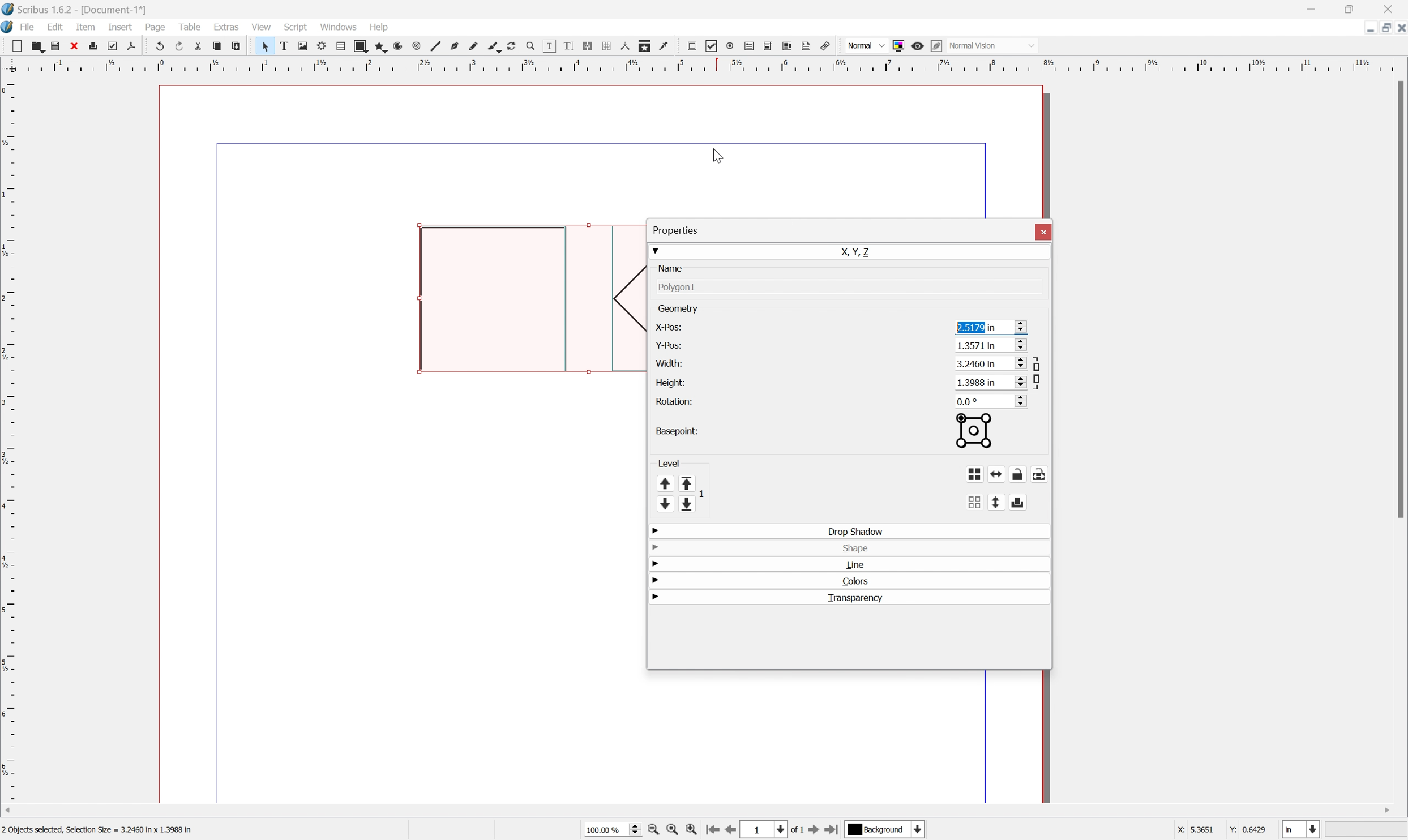 The width and height of the screenshot is (1408, 840). I want to click on cut, so click(196, 46).